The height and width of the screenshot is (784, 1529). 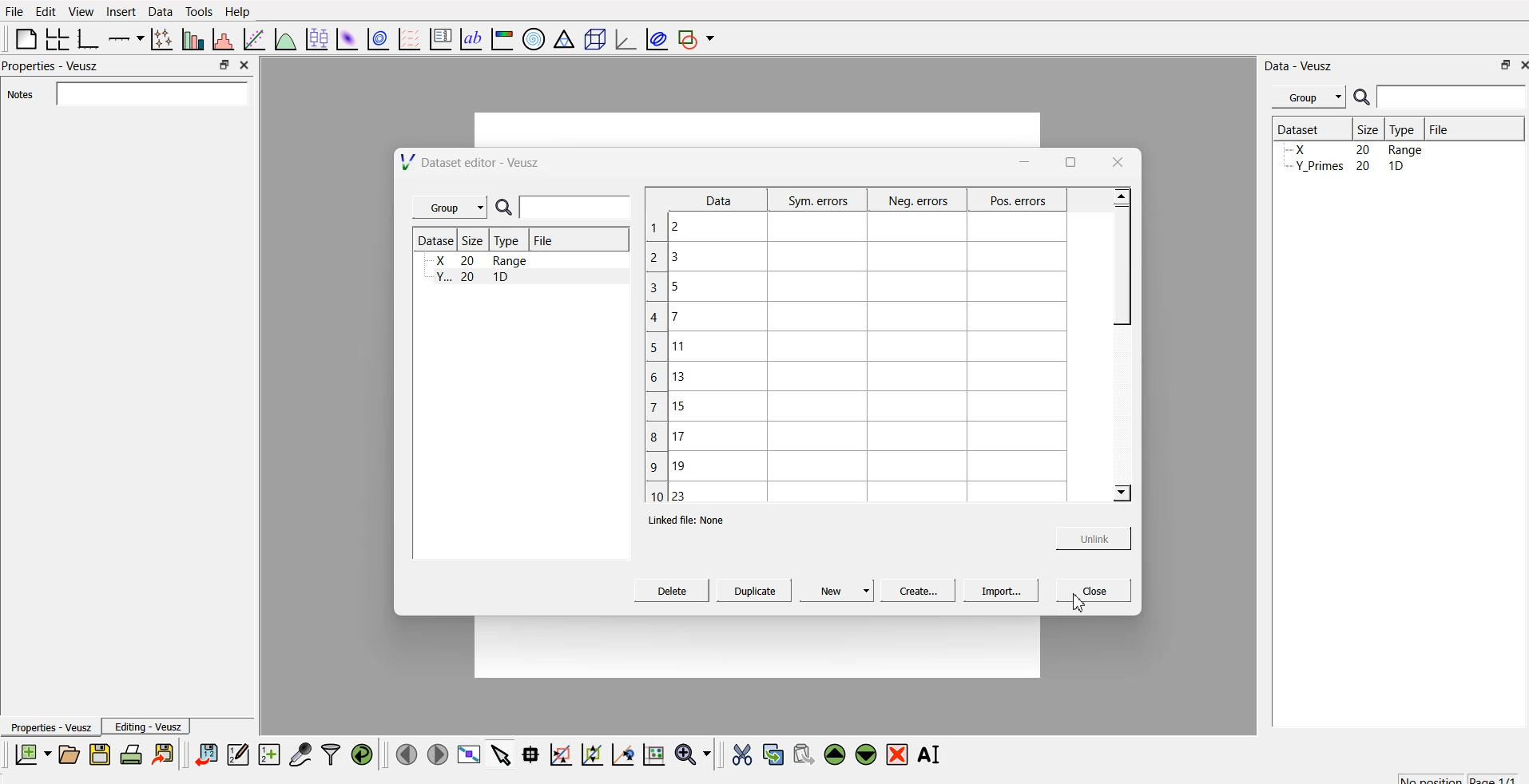 What do you see at coordinates (404, 754) in the screenshot?
I see `move to previous page` at bounding box center [404, 754].